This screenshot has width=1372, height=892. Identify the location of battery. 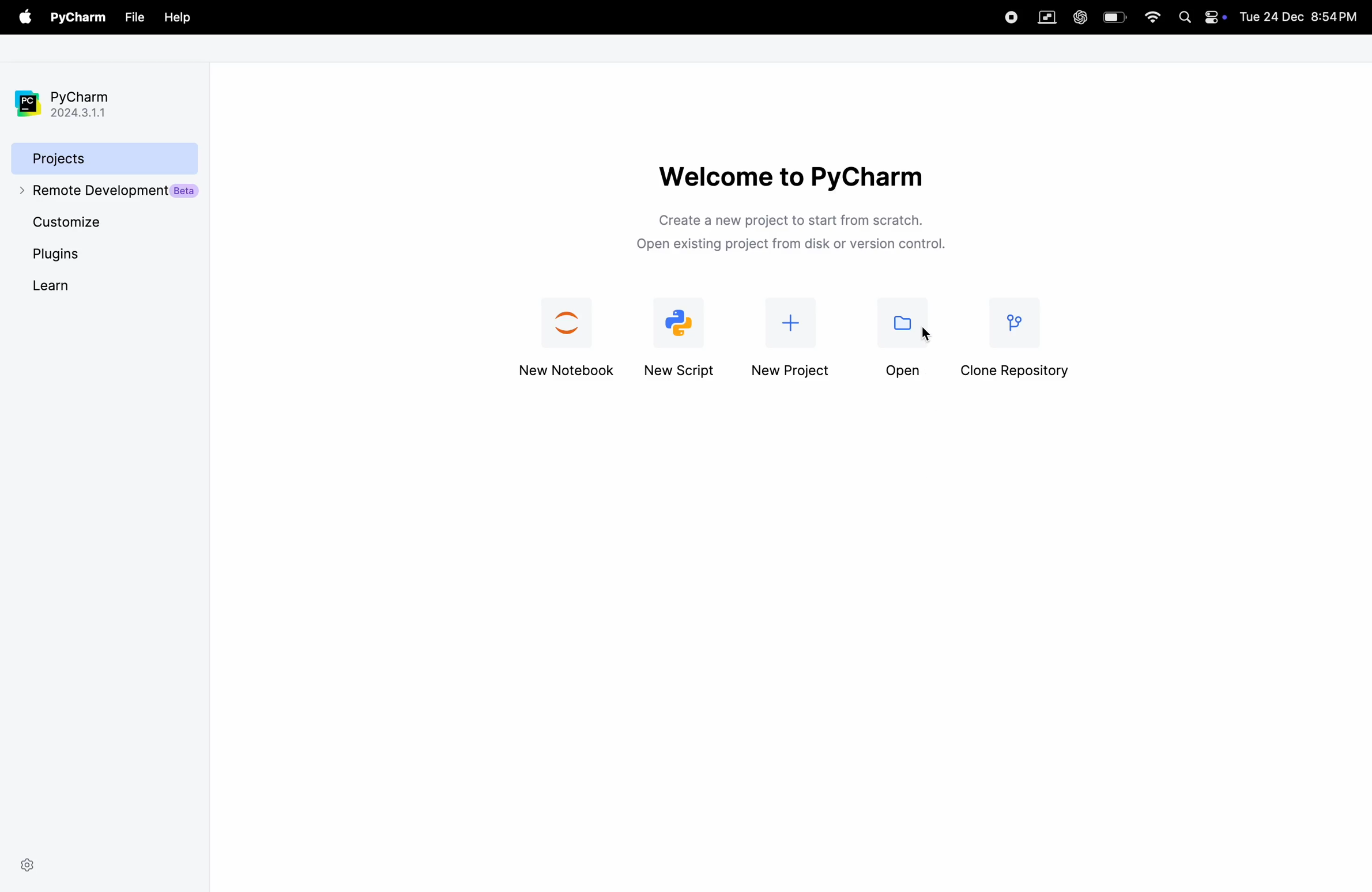
(1114, 16).